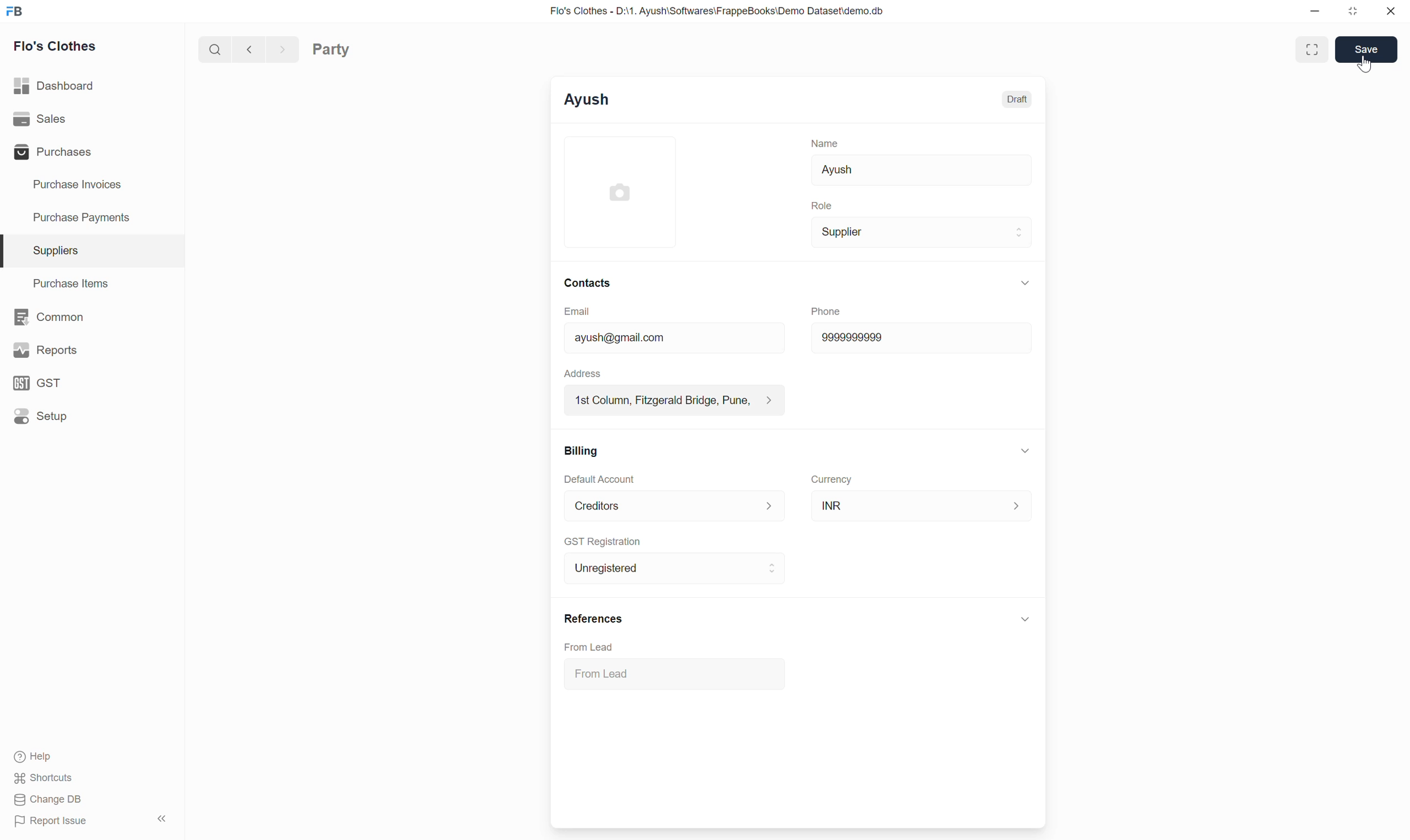 The image size is (1410, 840). What do you see at coordinates (91, 317) in the screenshot?
I see `Common` at bounding box center [91, 317].